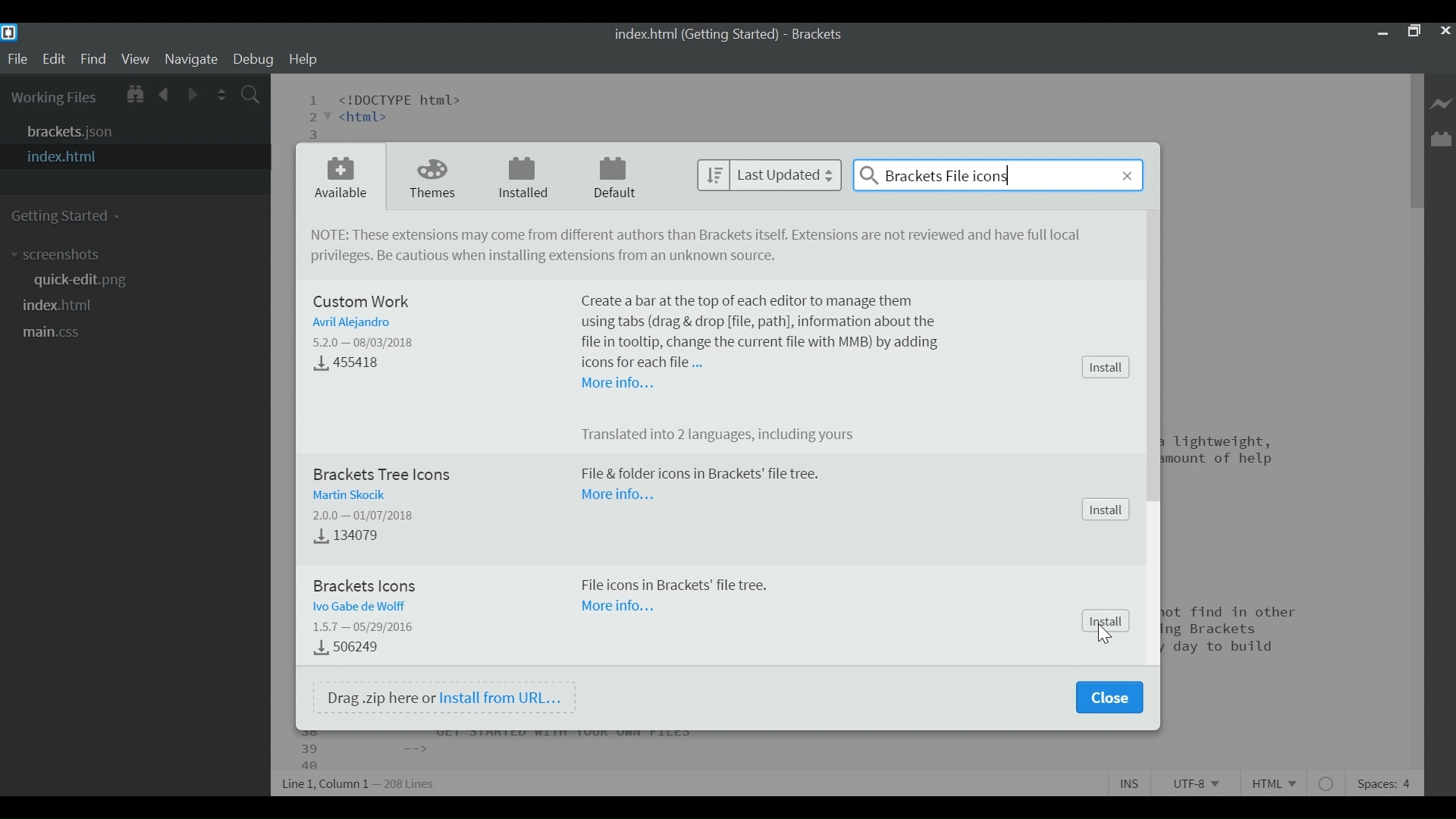  Describe the element at coordinates (12, 33) in the screenshot. I see `Brackets Desktop Icon` at that location.